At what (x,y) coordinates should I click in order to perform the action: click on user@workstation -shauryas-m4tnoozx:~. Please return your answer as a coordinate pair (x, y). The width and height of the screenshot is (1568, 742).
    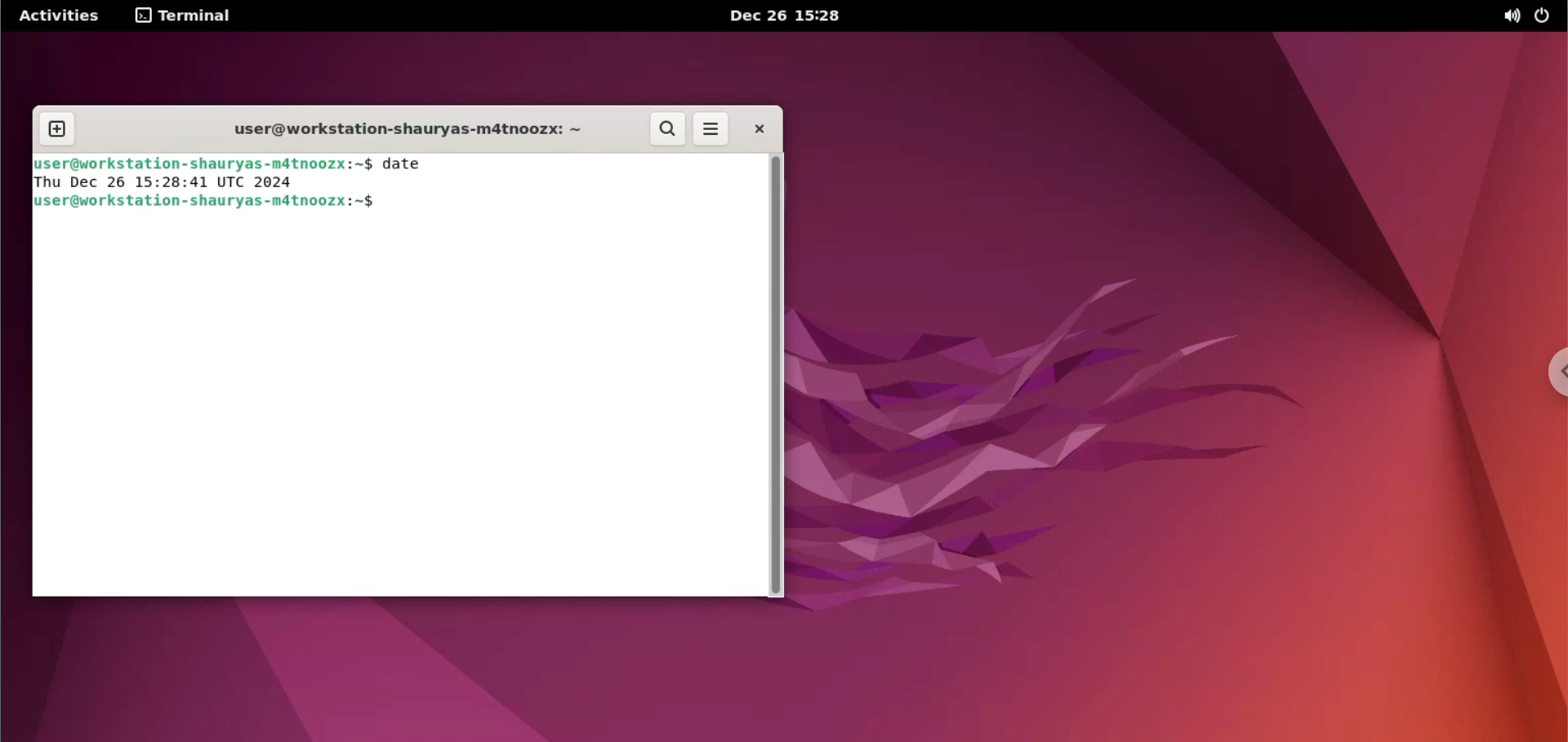
    Looking at the image, I should click on (398, 132).